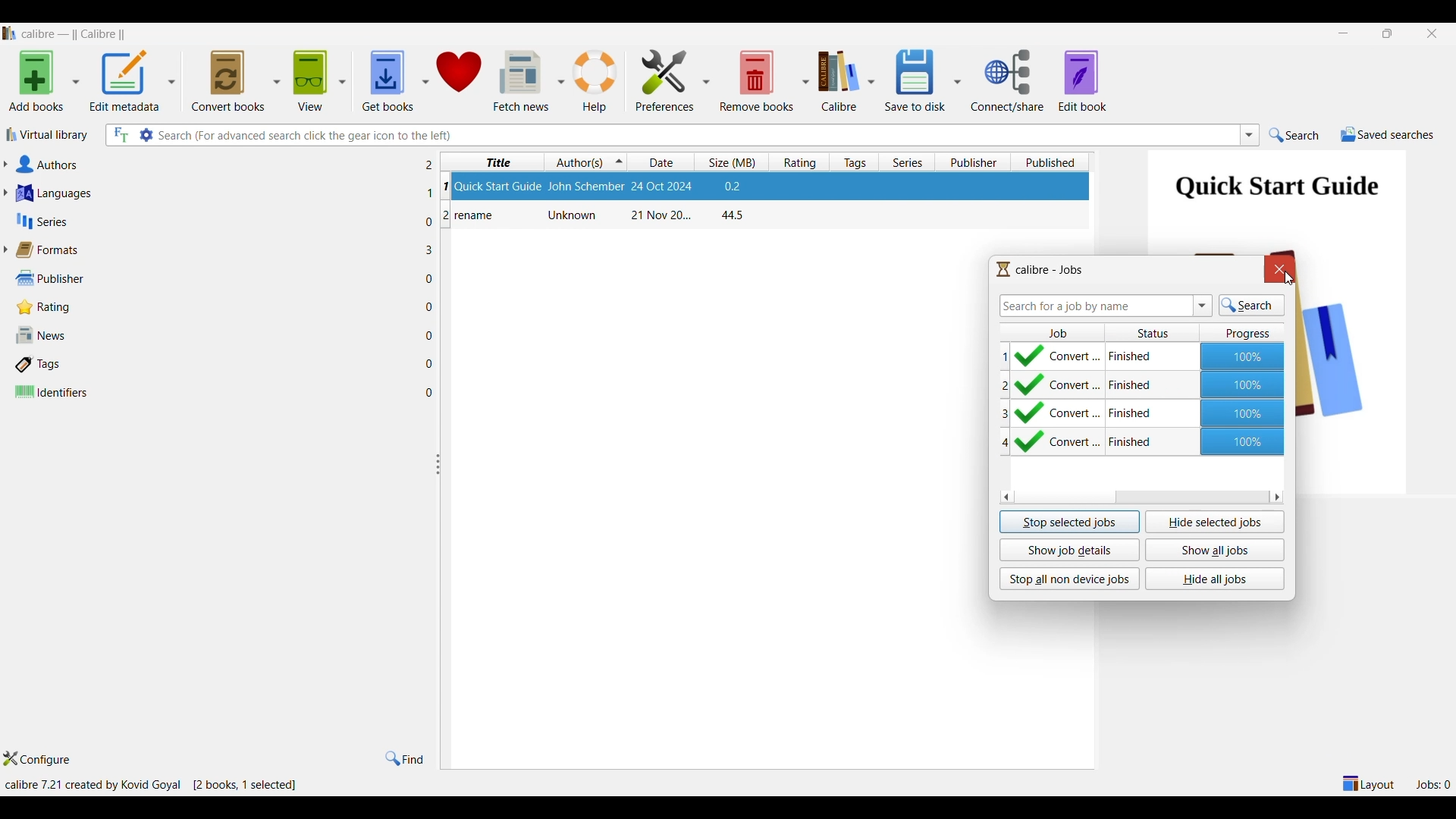  Describe the element at coordinates (1294, 135) in the screenshot. I see `Search` at that location.